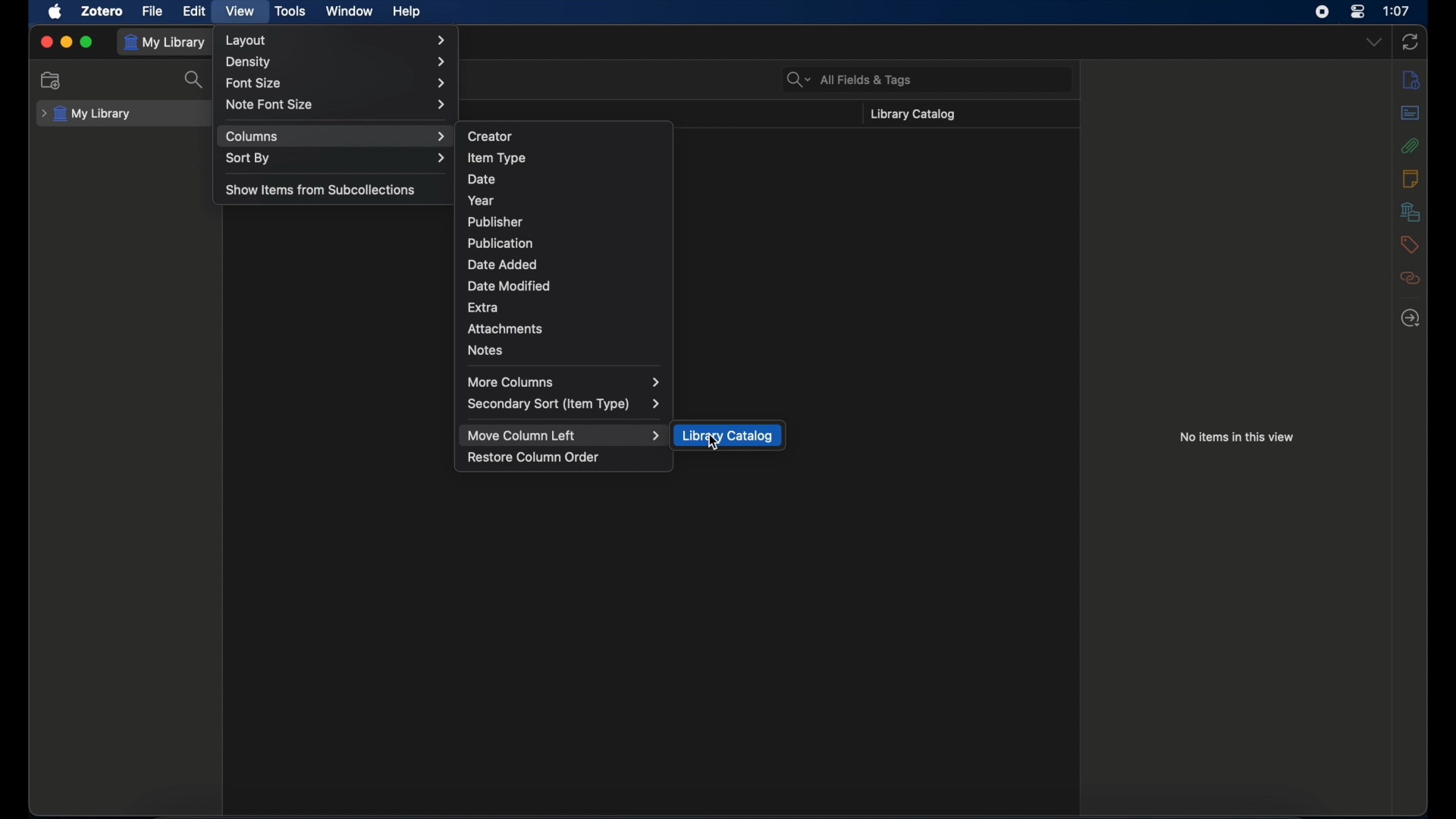 This screenshot has height=819, width=1456. What do you see at coordinates (1410, 42) in the screenshot?
I see `sync` at bounding box center [1410, 42].